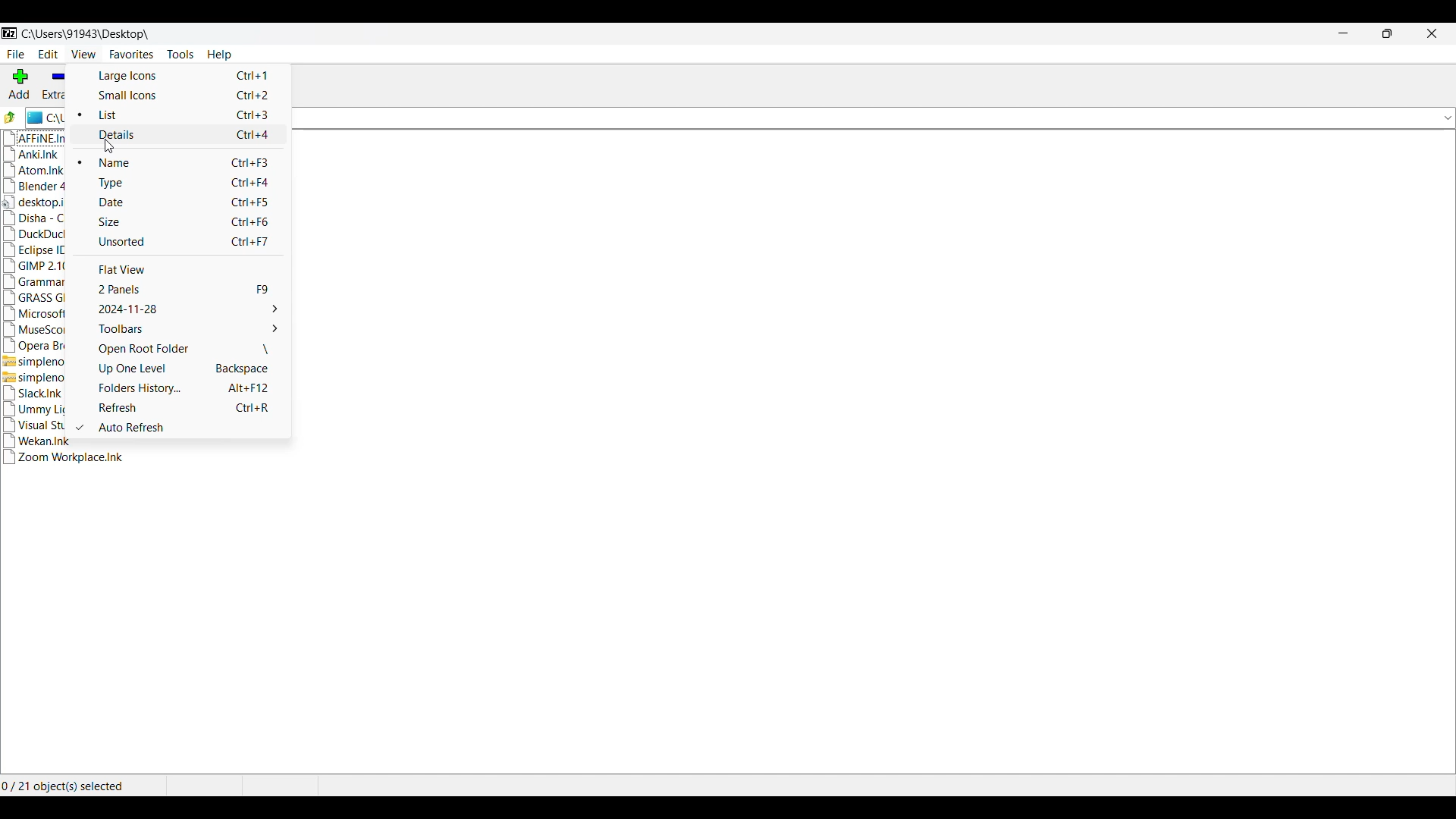  Describe the element at coordinates (132, 55) in the screenshot. I see `Favorites` at that location.